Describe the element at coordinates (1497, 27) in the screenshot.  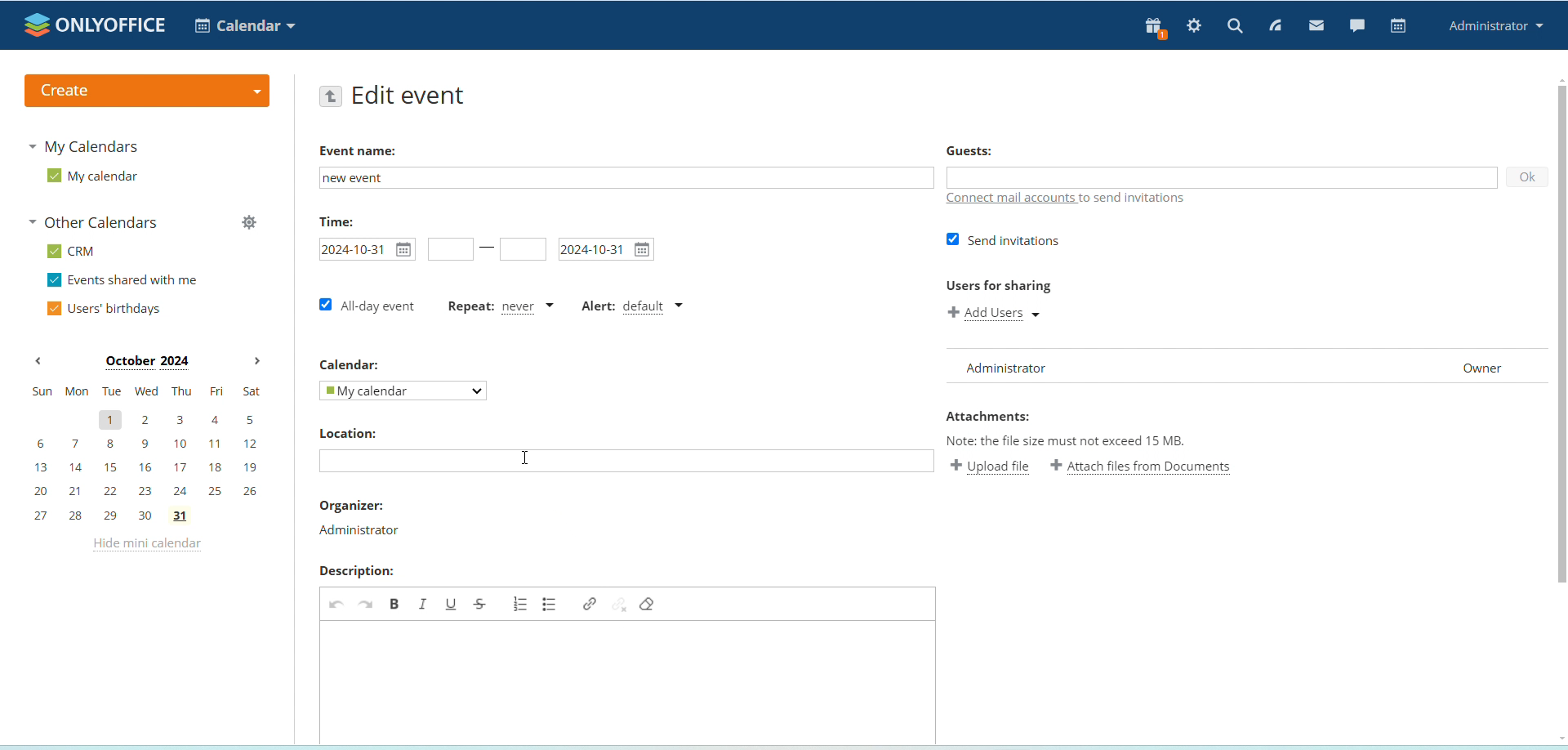
I see `administrator` at that location.